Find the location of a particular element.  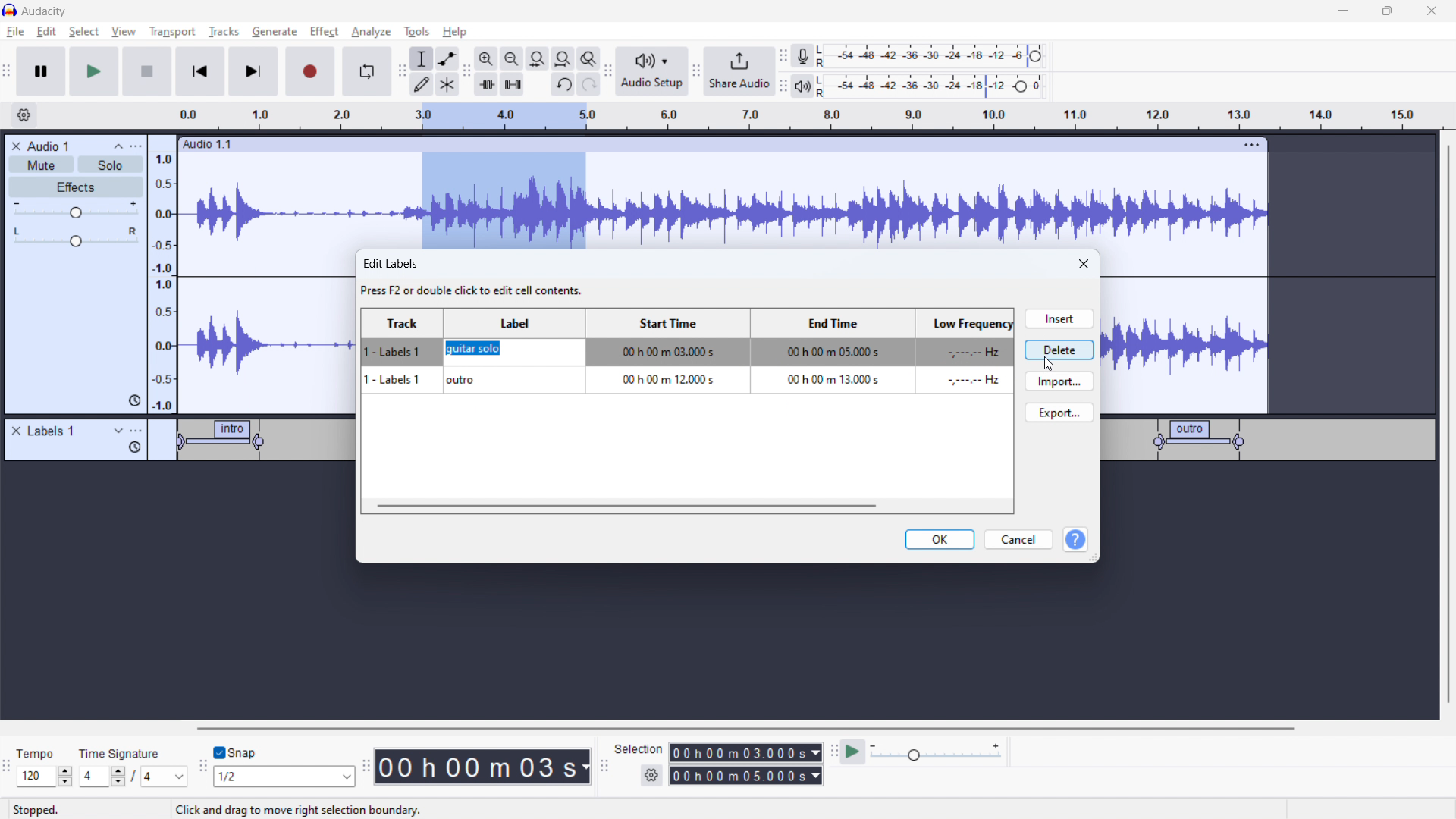

select is located at coordinates (83, 31).